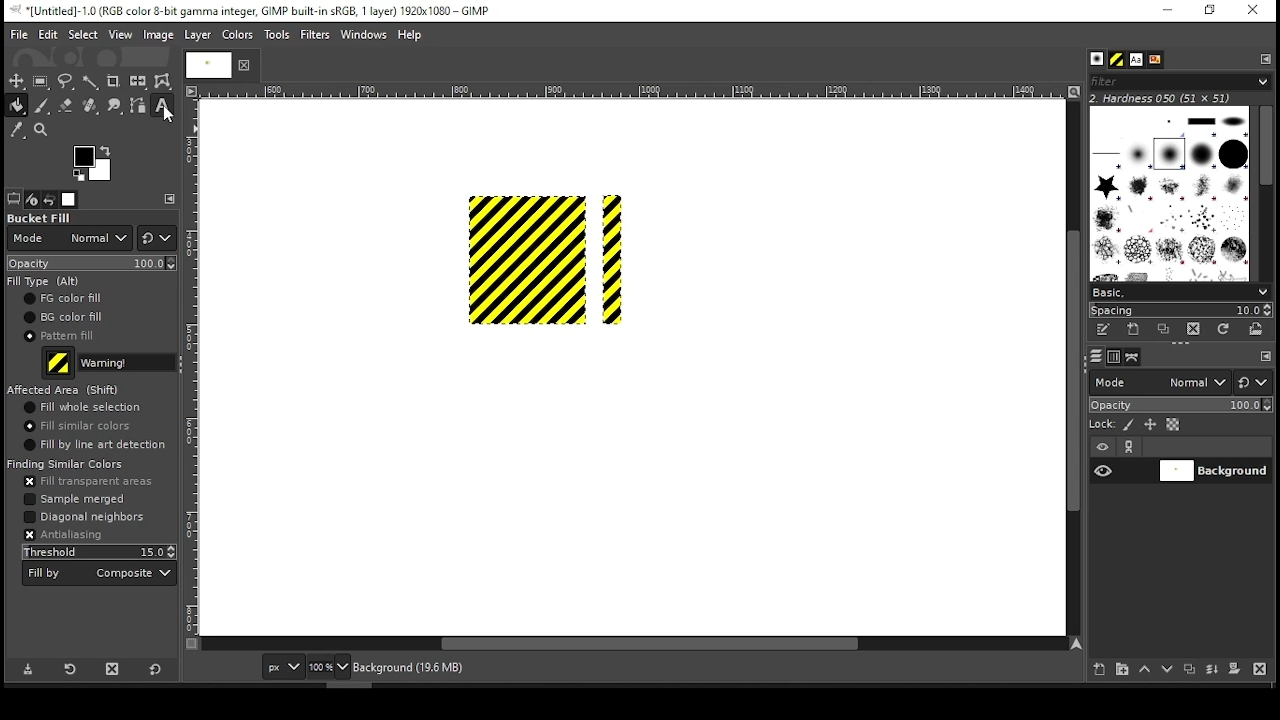 This screenshot has height=720, width=1280. What do you see at coordinates (318, 35) in the screenshot?
I see `filters` at bounding box center [318, 35].